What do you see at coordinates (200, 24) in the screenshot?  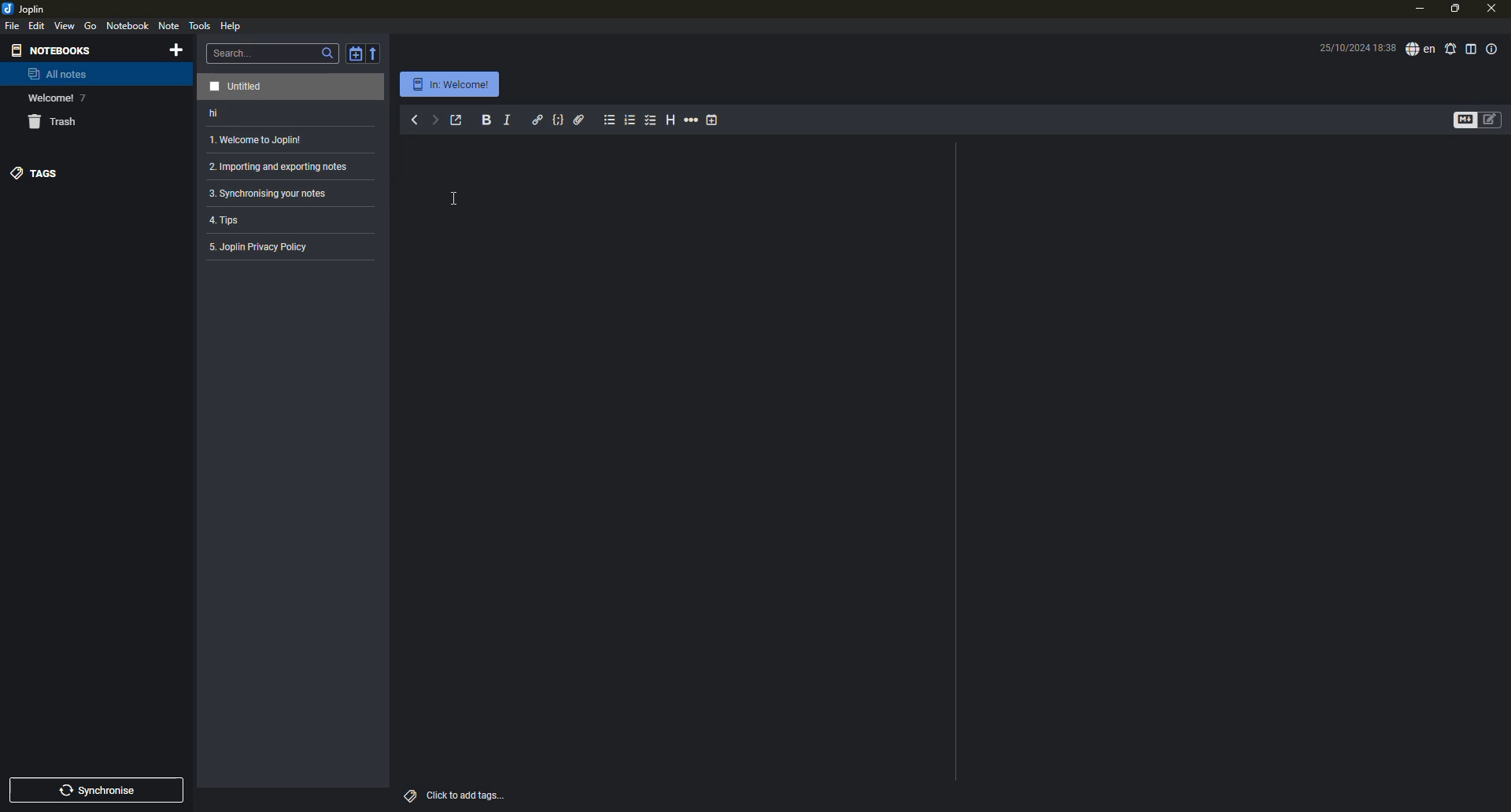 I see `tools` at bounding box center [200, 24].